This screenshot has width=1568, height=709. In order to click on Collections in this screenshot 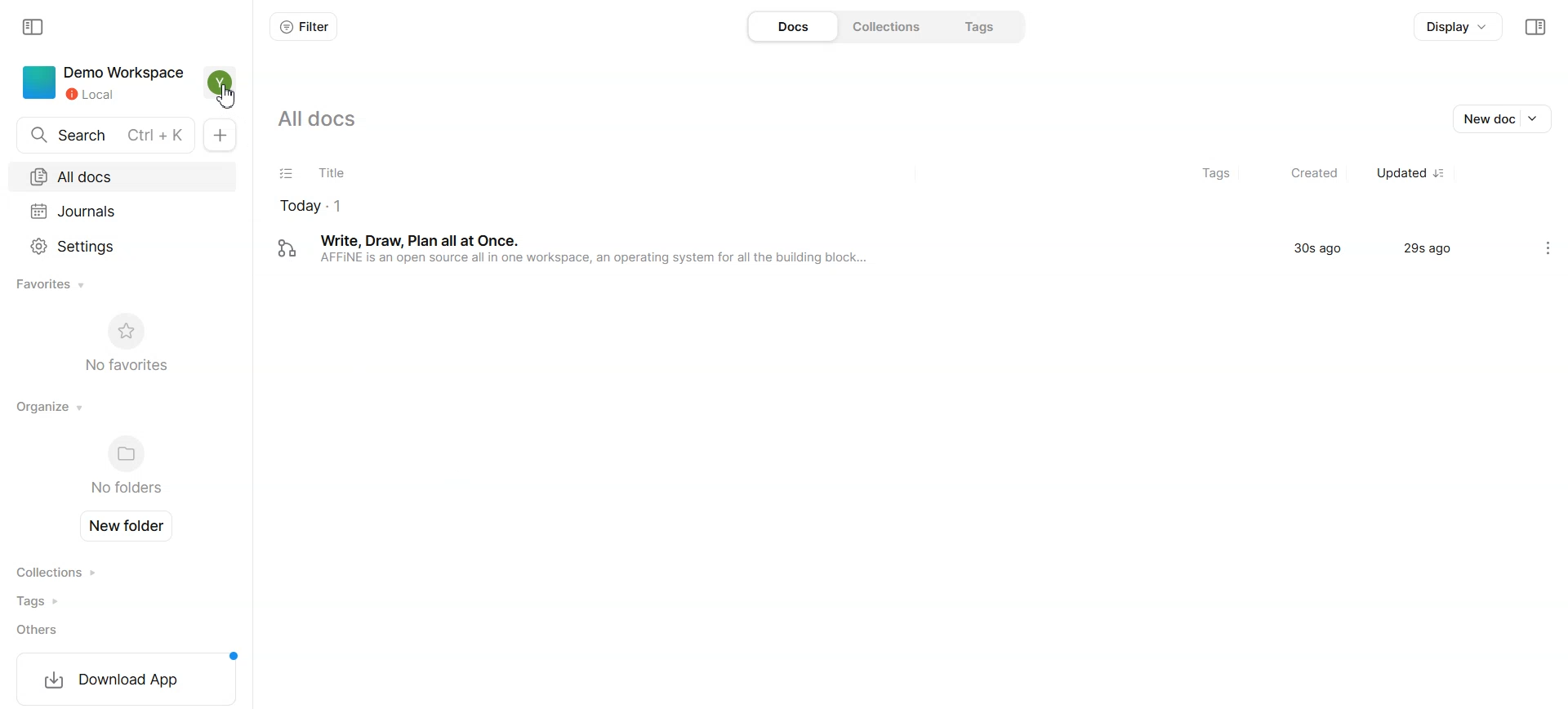, I will do `click(888, 26)`.